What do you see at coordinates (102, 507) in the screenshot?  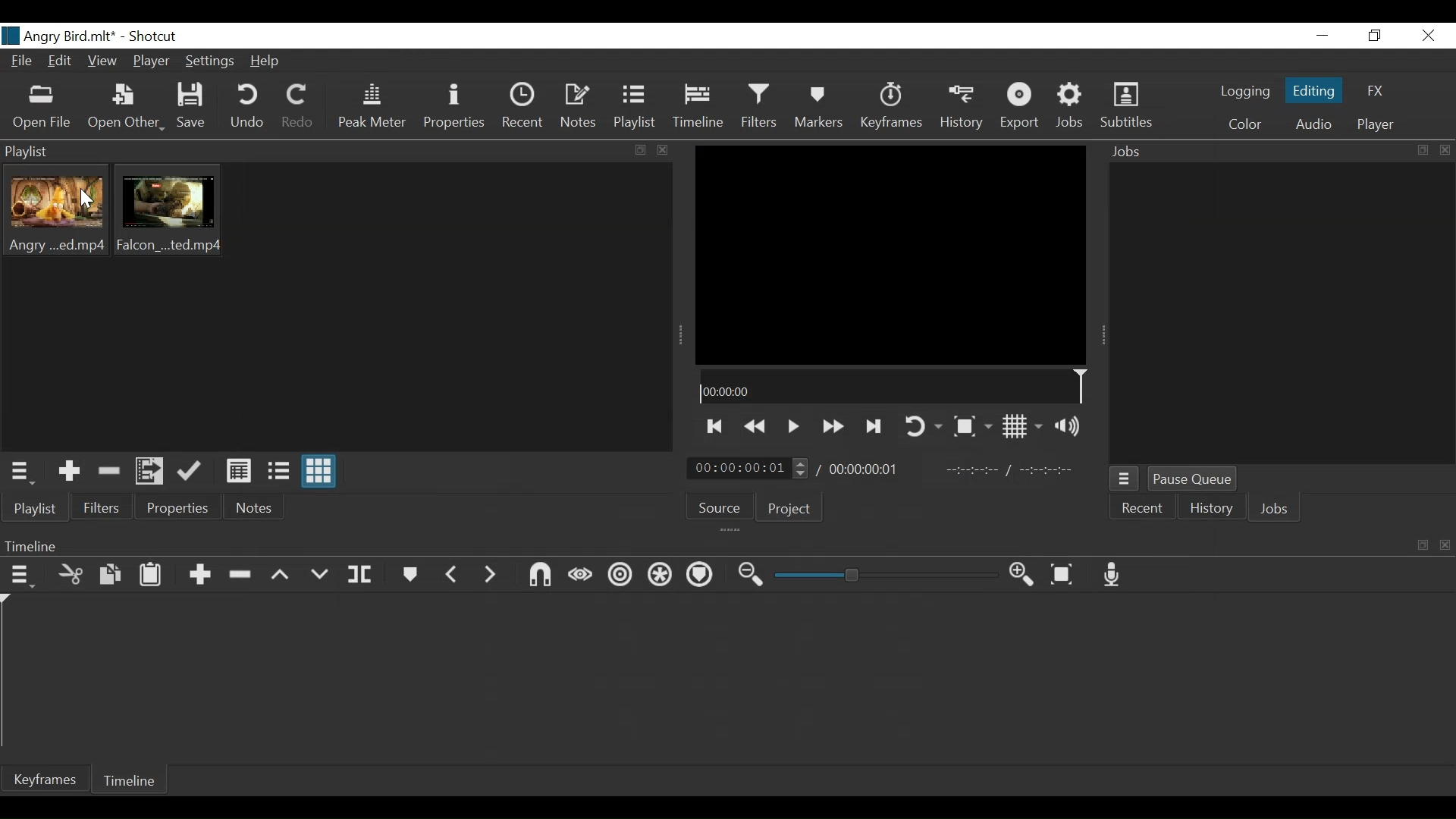 I see `Filters` at bounding box center [102, 507].